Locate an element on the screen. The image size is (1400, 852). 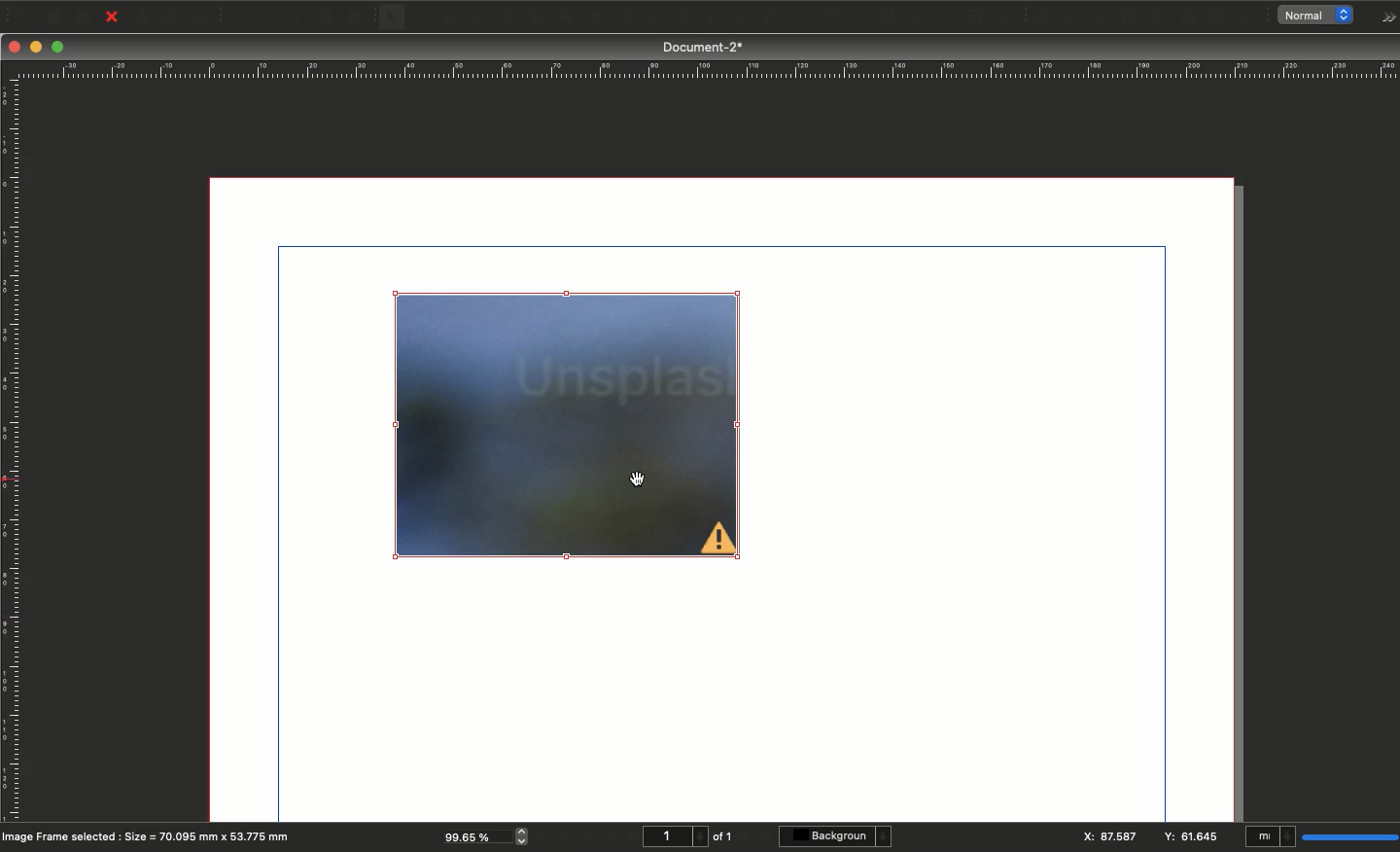
PDF radio button is located at coordinates (1102, 18).